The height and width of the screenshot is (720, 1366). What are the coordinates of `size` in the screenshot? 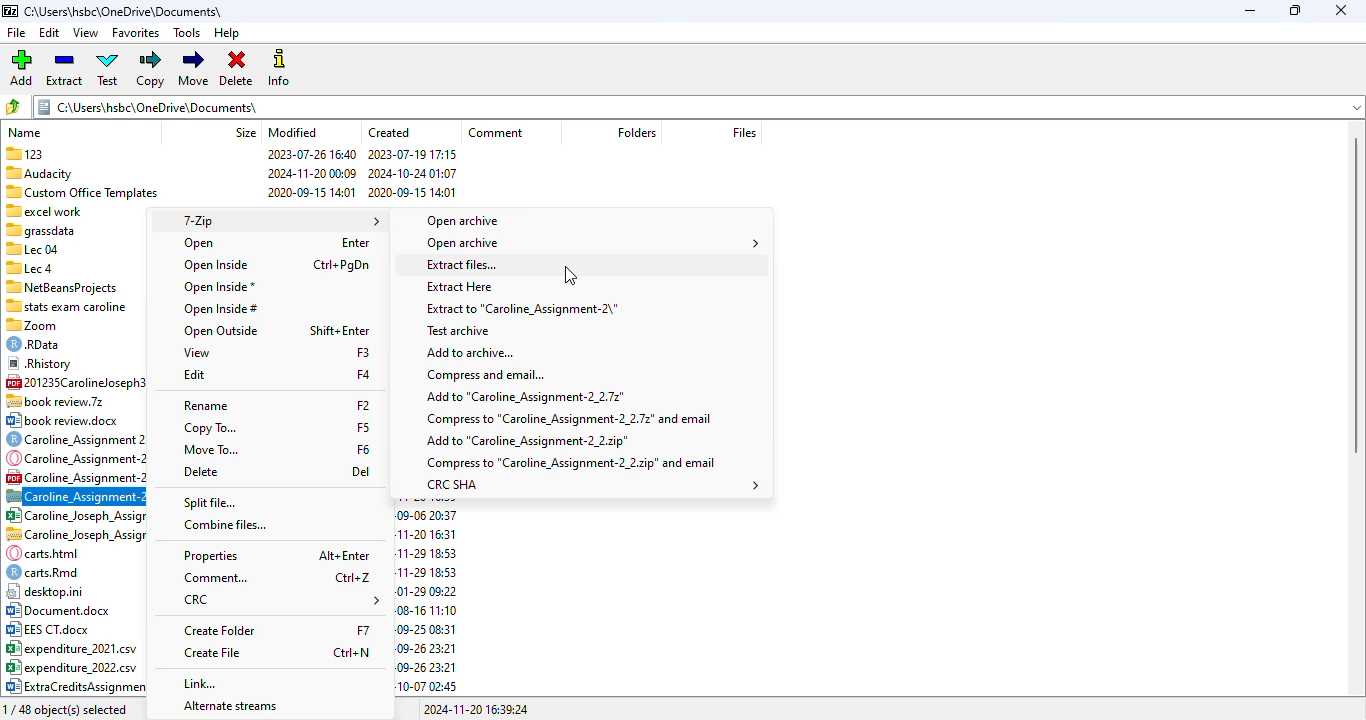 It's located at (246, 132).